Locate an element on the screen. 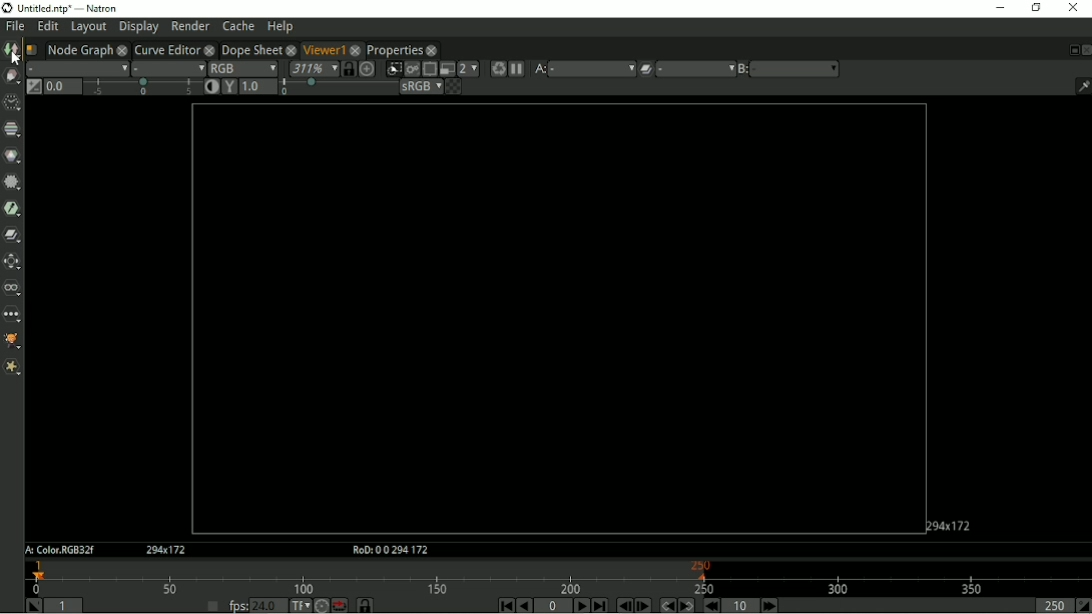 The image size is (1092, 614). Scales down rendered image is located at coordinates (468, 69).